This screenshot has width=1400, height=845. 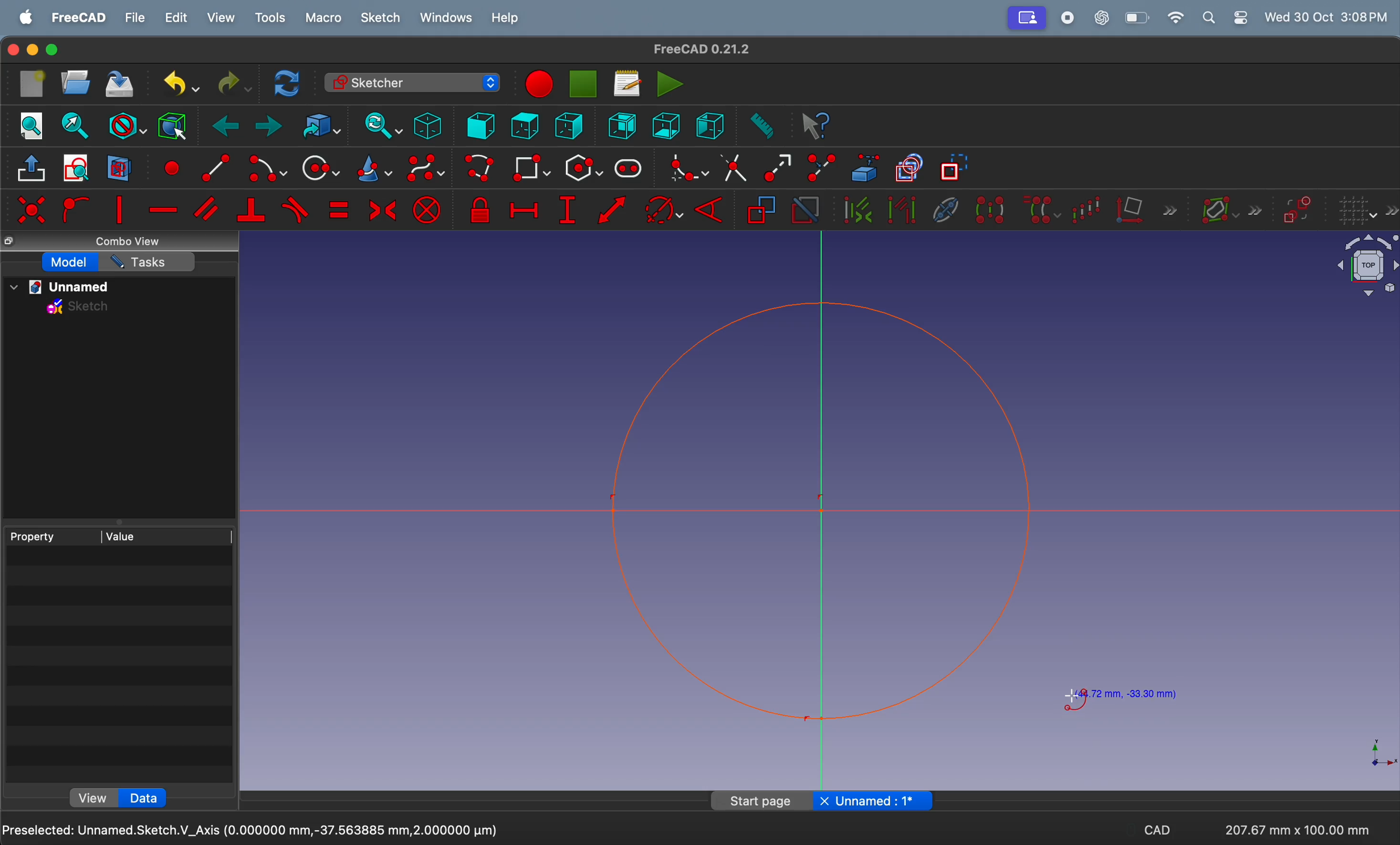 What do you see at coordinates (251, 211) in the screenshot?
I see `constrain perpendicular` at bounding box center [251, 211].